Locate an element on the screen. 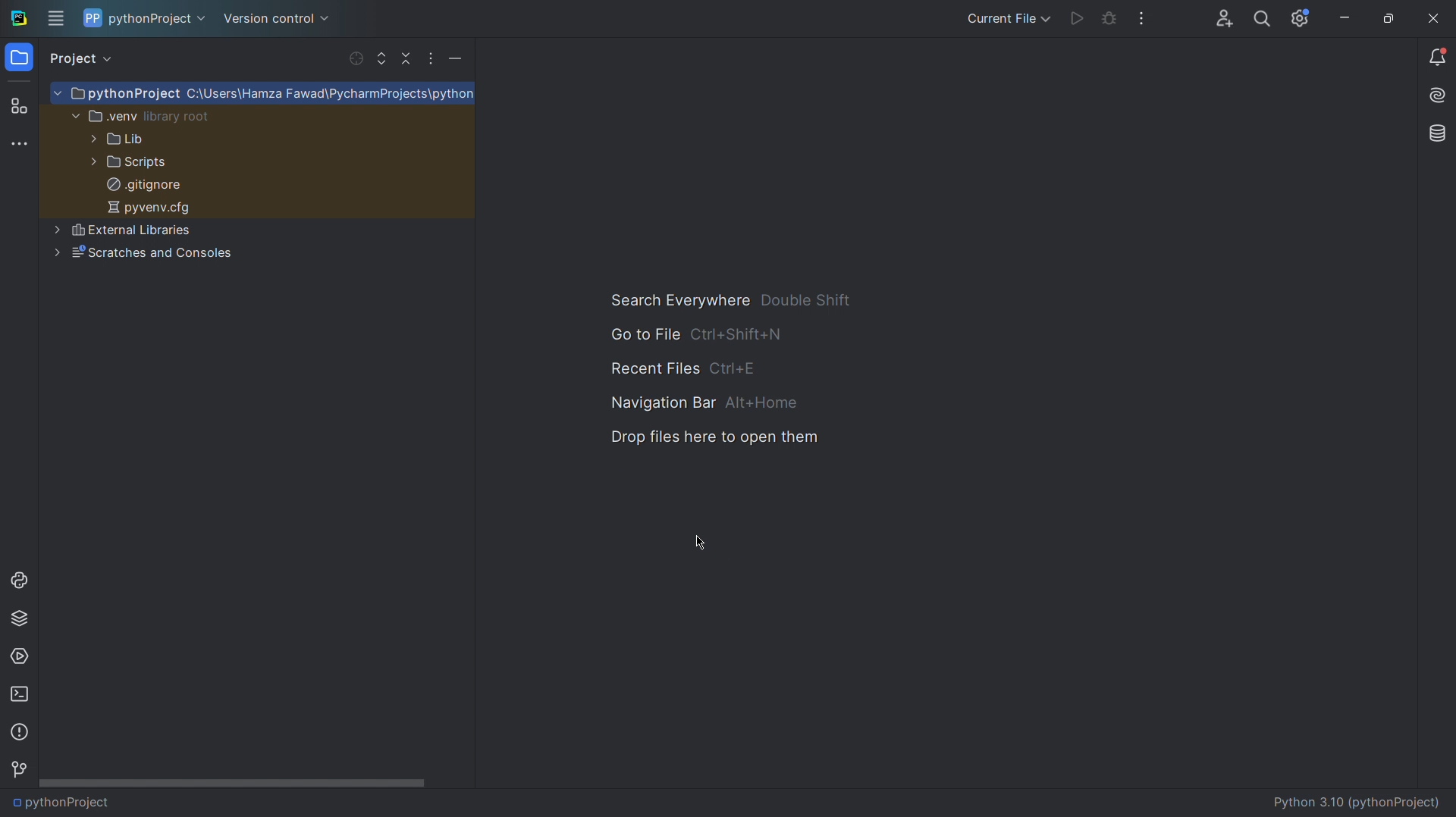 The height and width of the screenshot is (817, 1456). minimize is located at coordinates (457, 58).